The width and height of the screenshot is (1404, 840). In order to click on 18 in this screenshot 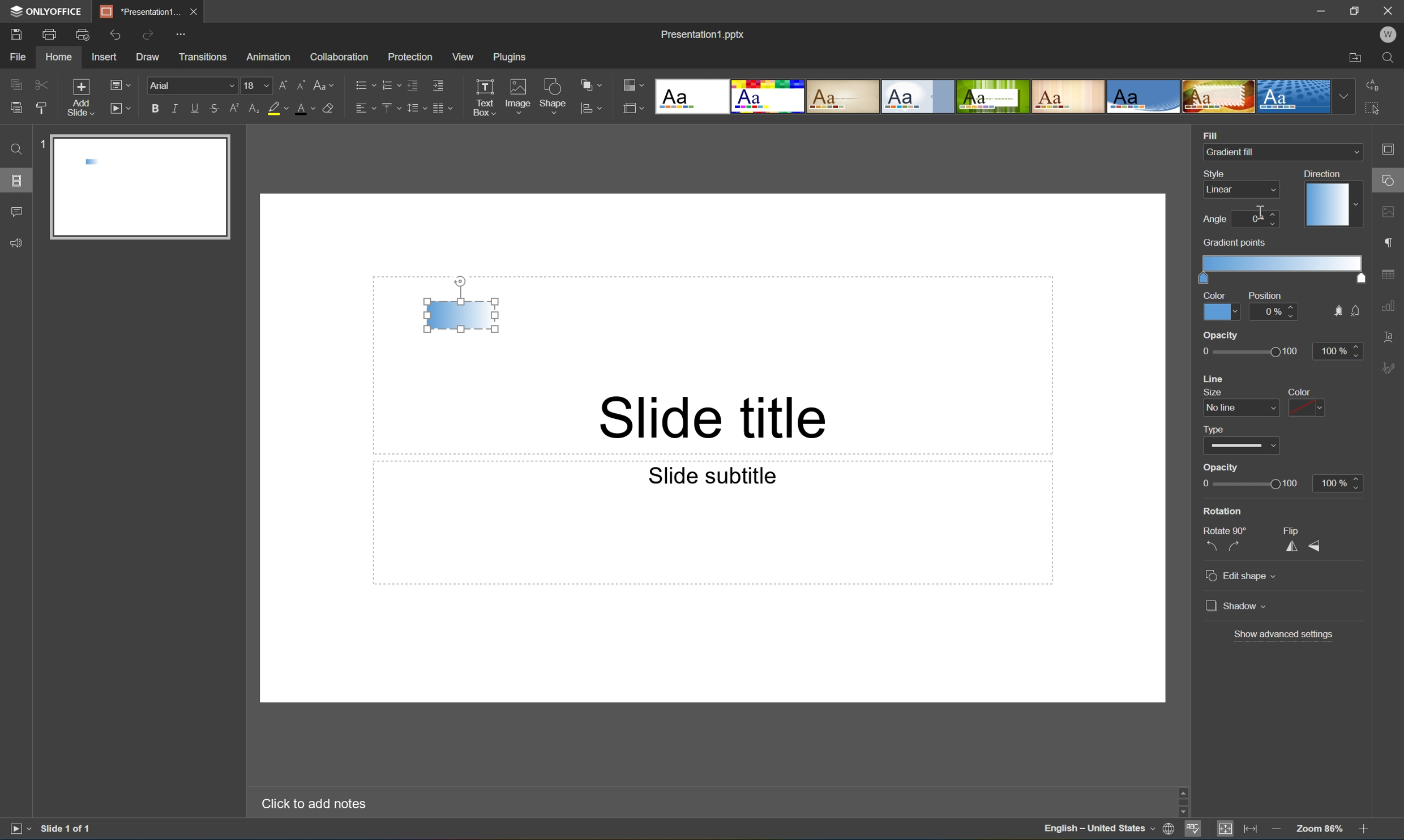, I will do `click(257, 85)`.